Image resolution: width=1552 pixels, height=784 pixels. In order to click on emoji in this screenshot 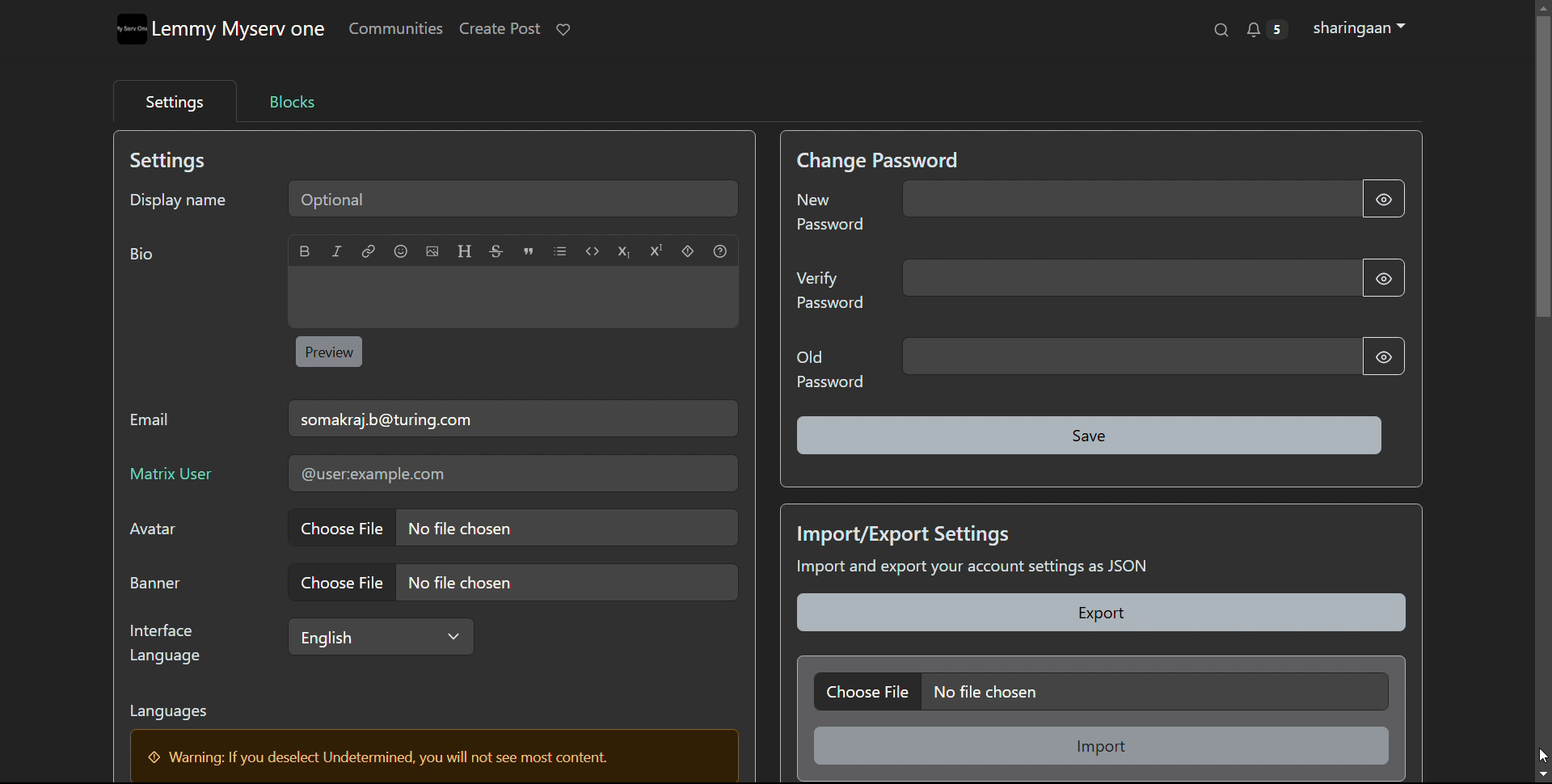, I will do `click(401, 251)`.